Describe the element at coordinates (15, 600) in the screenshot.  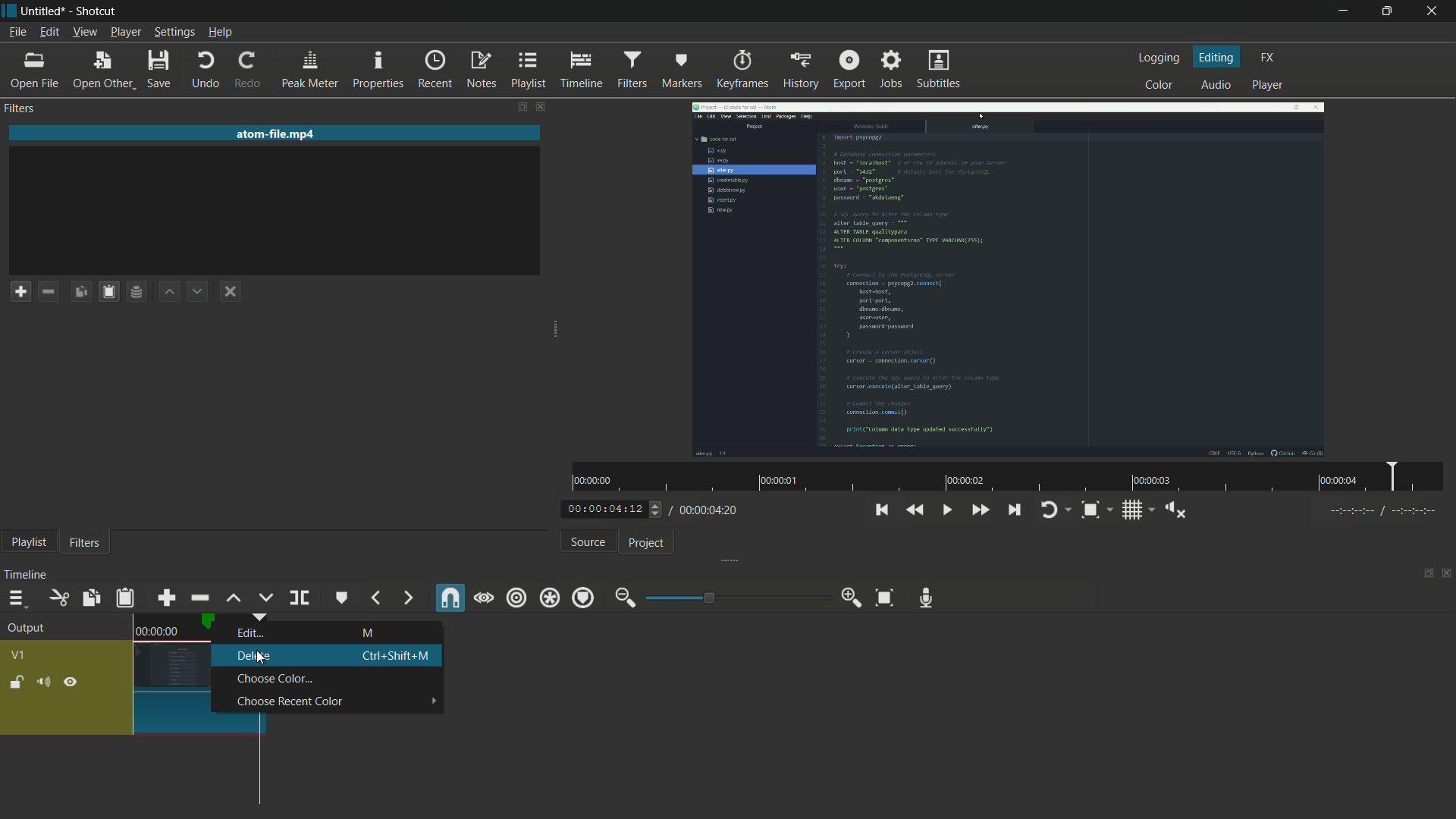
I see `timeline menu` at that location.